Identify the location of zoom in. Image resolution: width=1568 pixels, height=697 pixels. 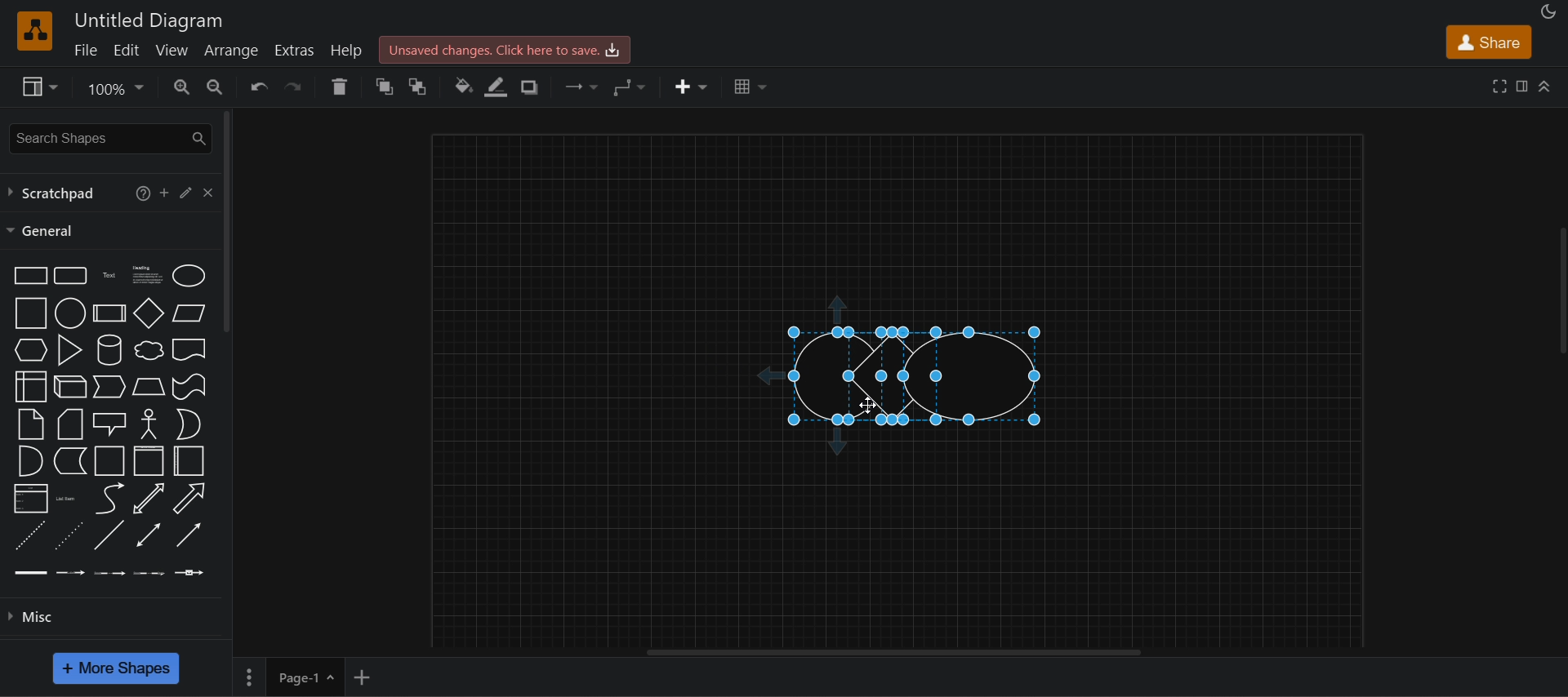
(182, 87).